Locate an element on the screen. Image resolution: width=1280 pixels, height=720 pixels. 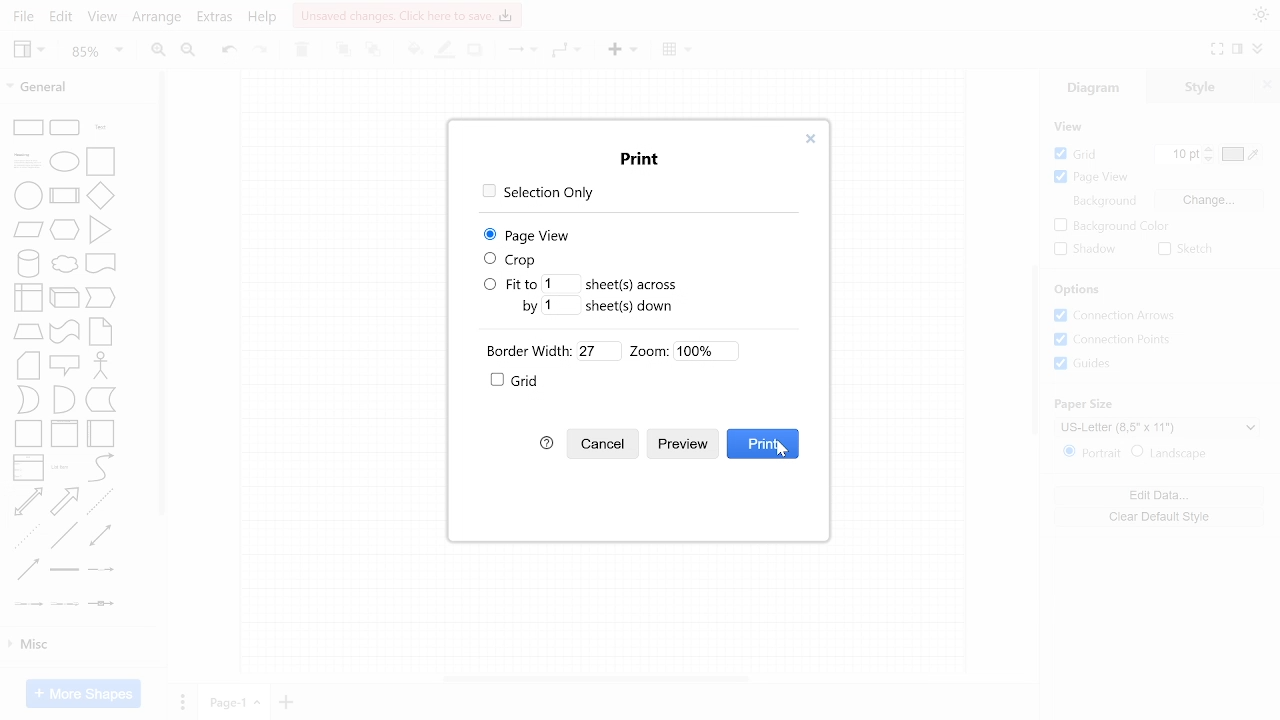
Vertica scrollbar for shapes is located at coordinates (163, 294).